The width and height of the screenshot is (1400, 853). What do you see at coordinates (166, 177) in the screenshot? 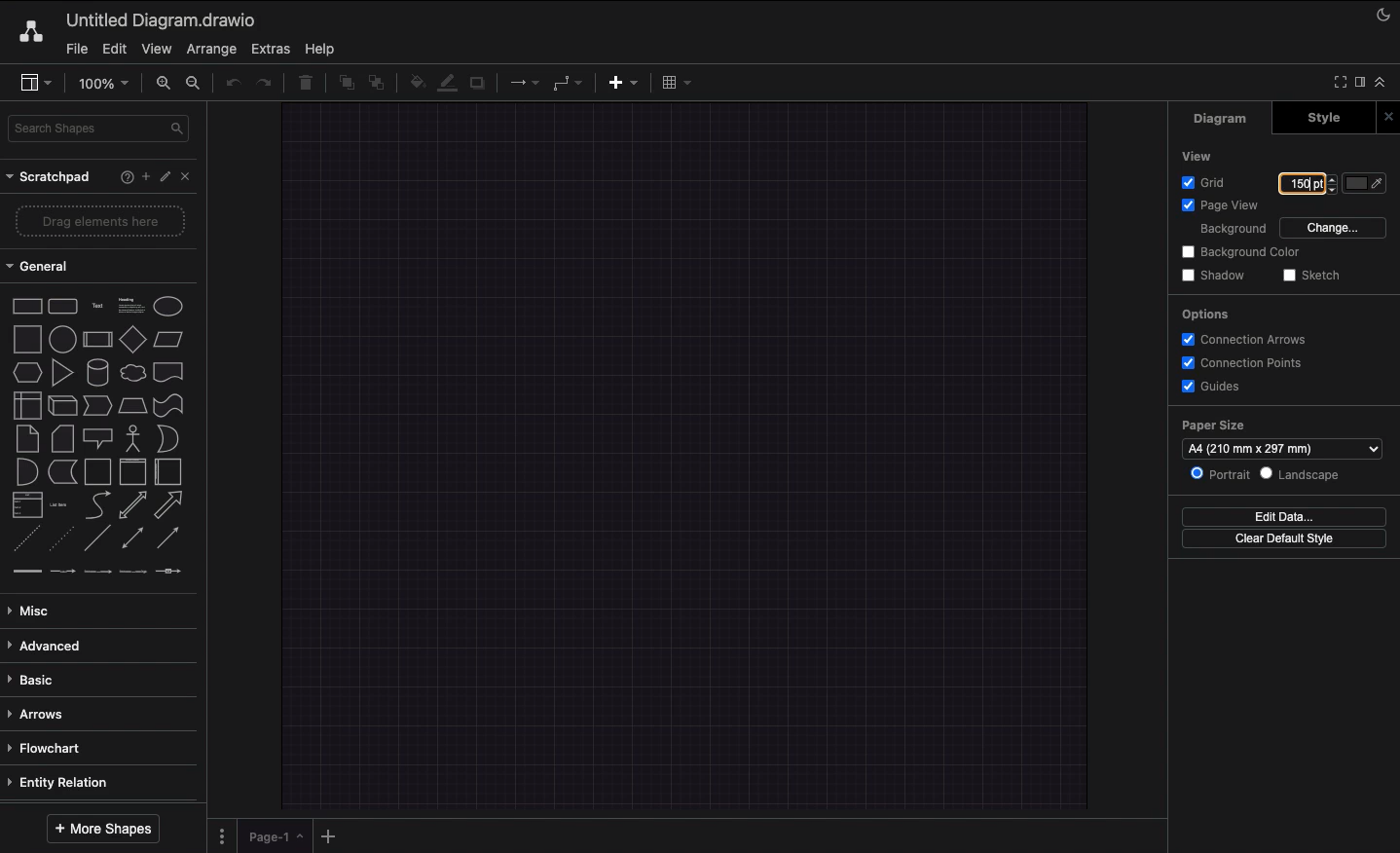
I see `Edit` at bounding box center [166, 177].